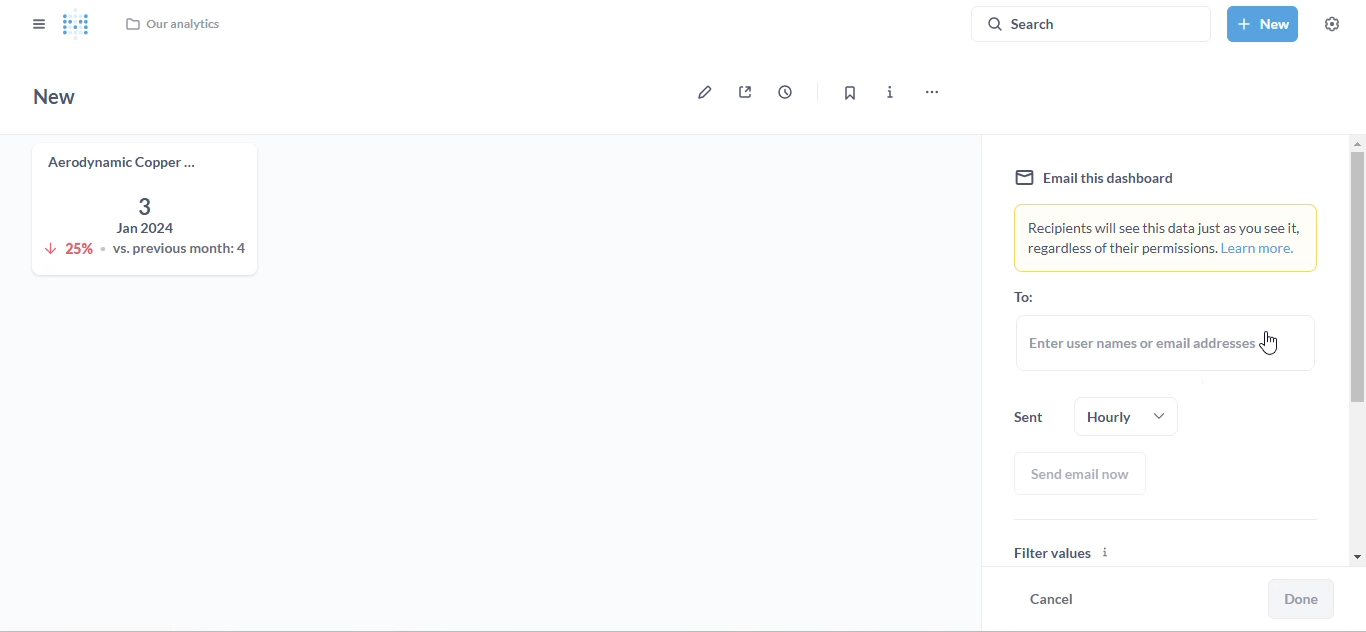 The image size is (1366, 632). Describe the element at coordinates (700, 92) in the screenshot. I see `edit dashboard` at that location.